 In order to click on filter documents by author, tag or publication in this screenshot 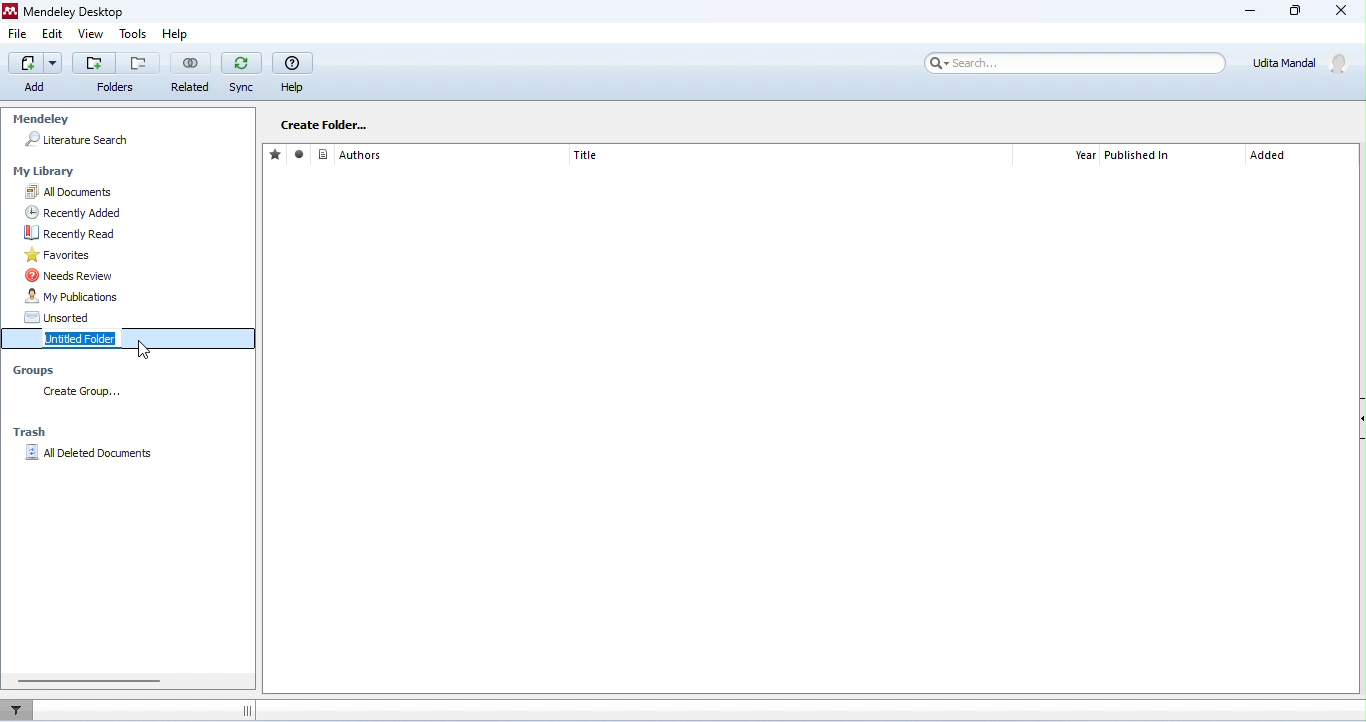, I will do `click(22, 708)`.